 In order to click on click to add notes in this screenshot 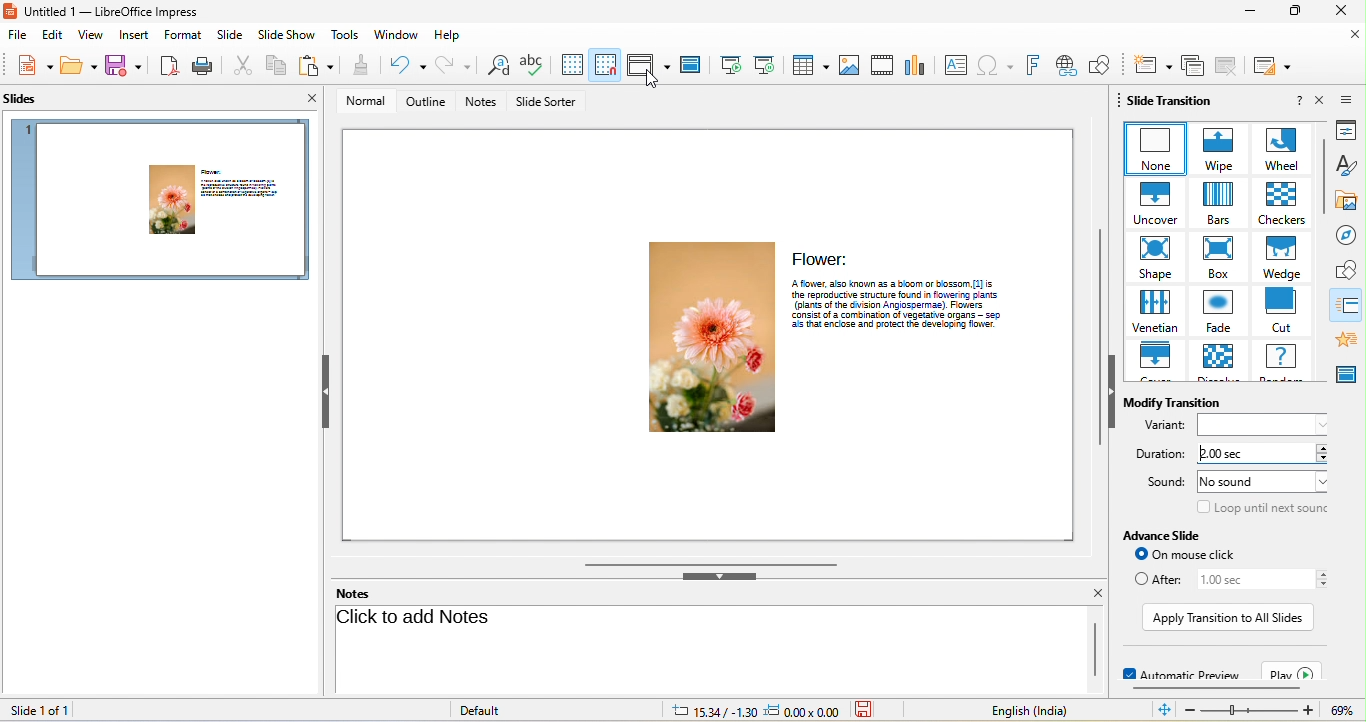, I will do `click(418, 620)`.